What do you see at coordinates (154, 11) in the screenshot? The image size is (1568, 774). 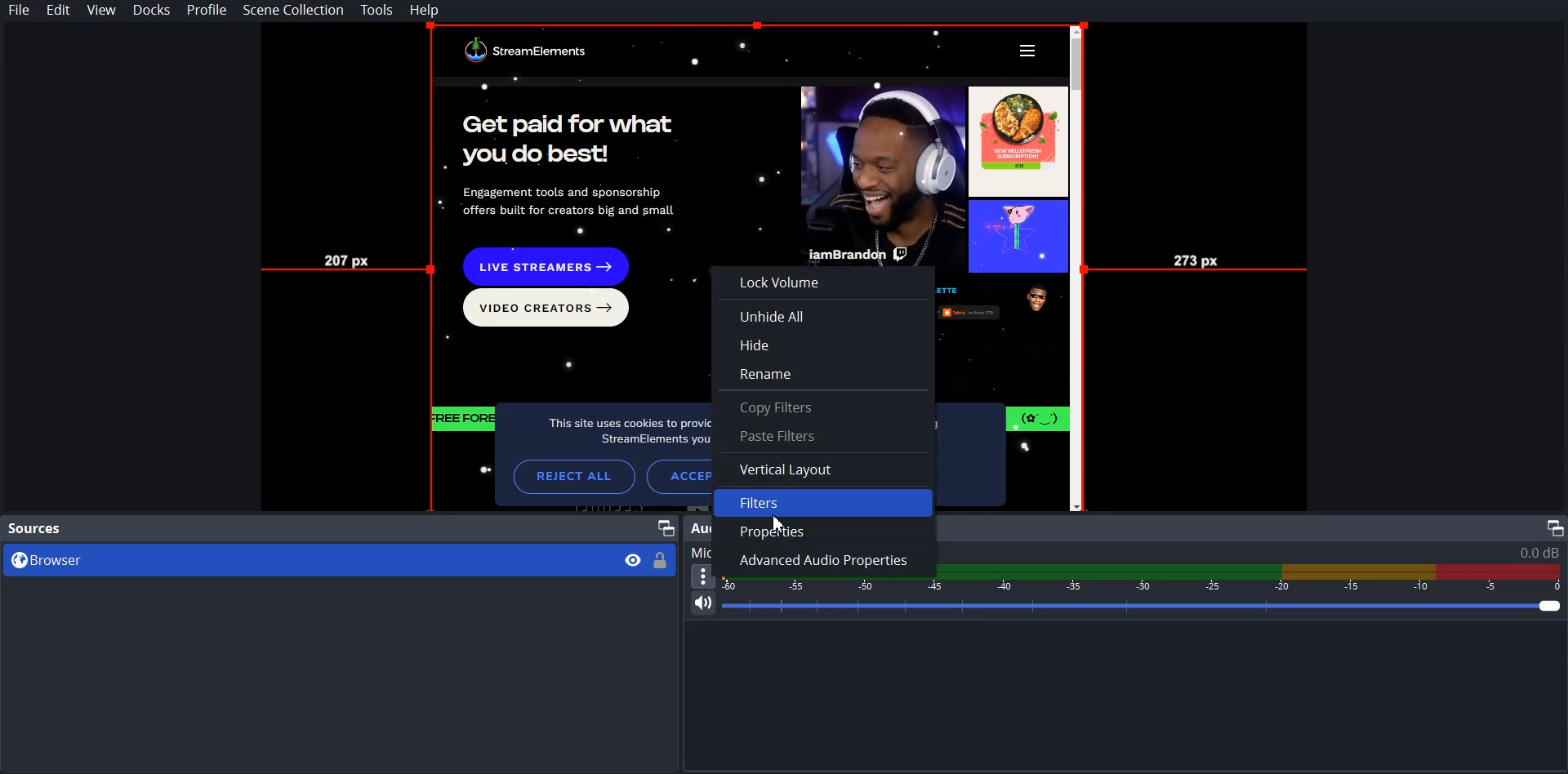 I see `Docks` at bounding box center [154, 11].